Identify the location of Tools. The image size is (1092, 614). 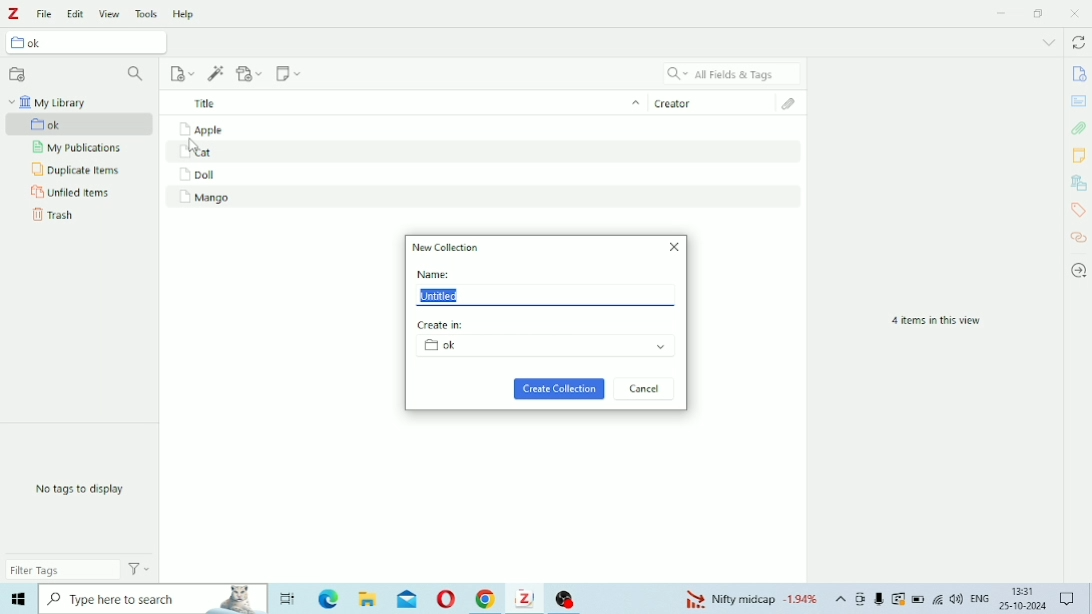
(147, 13).